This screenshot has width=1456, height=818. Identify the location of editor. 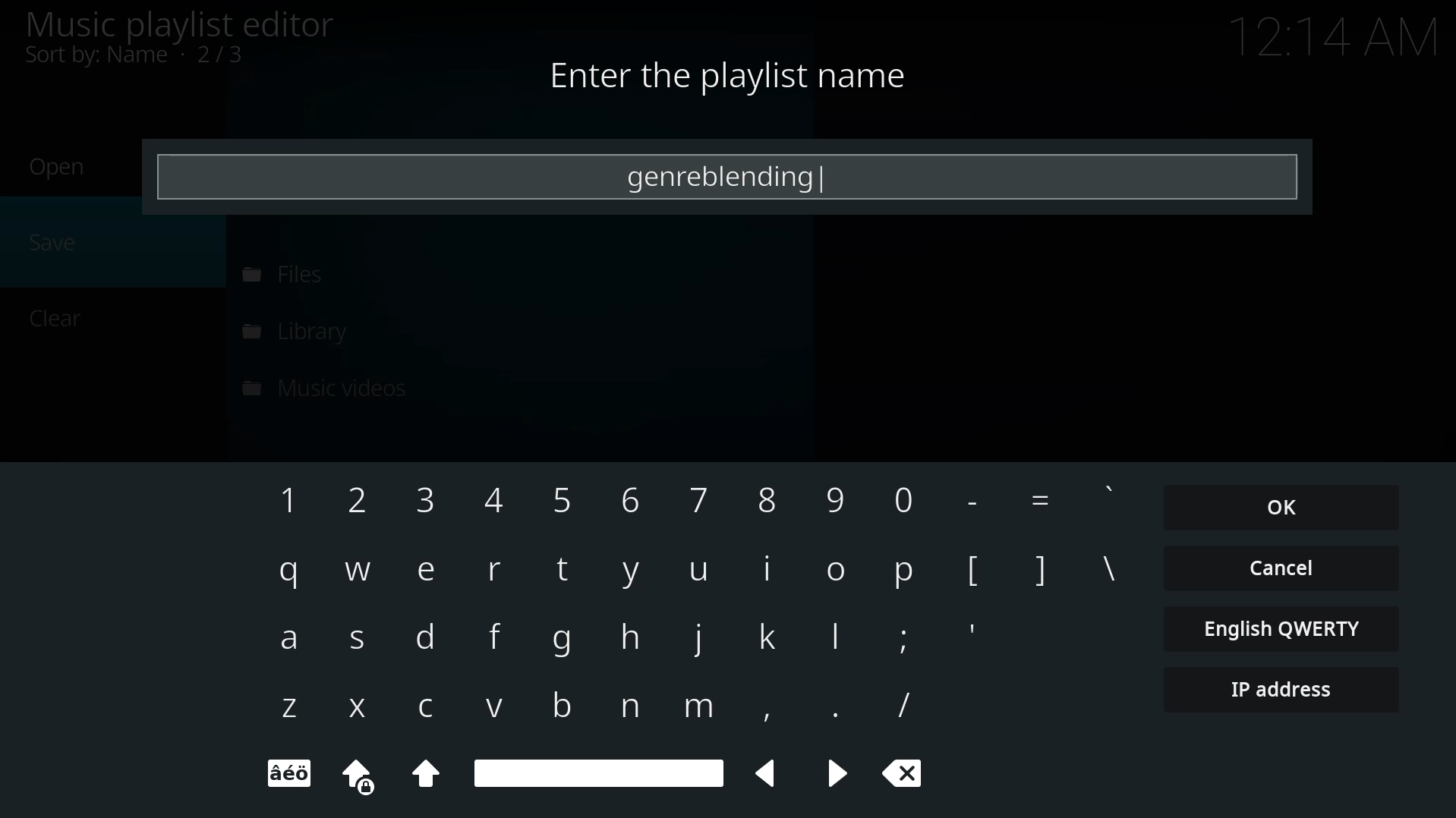
(178, 24).